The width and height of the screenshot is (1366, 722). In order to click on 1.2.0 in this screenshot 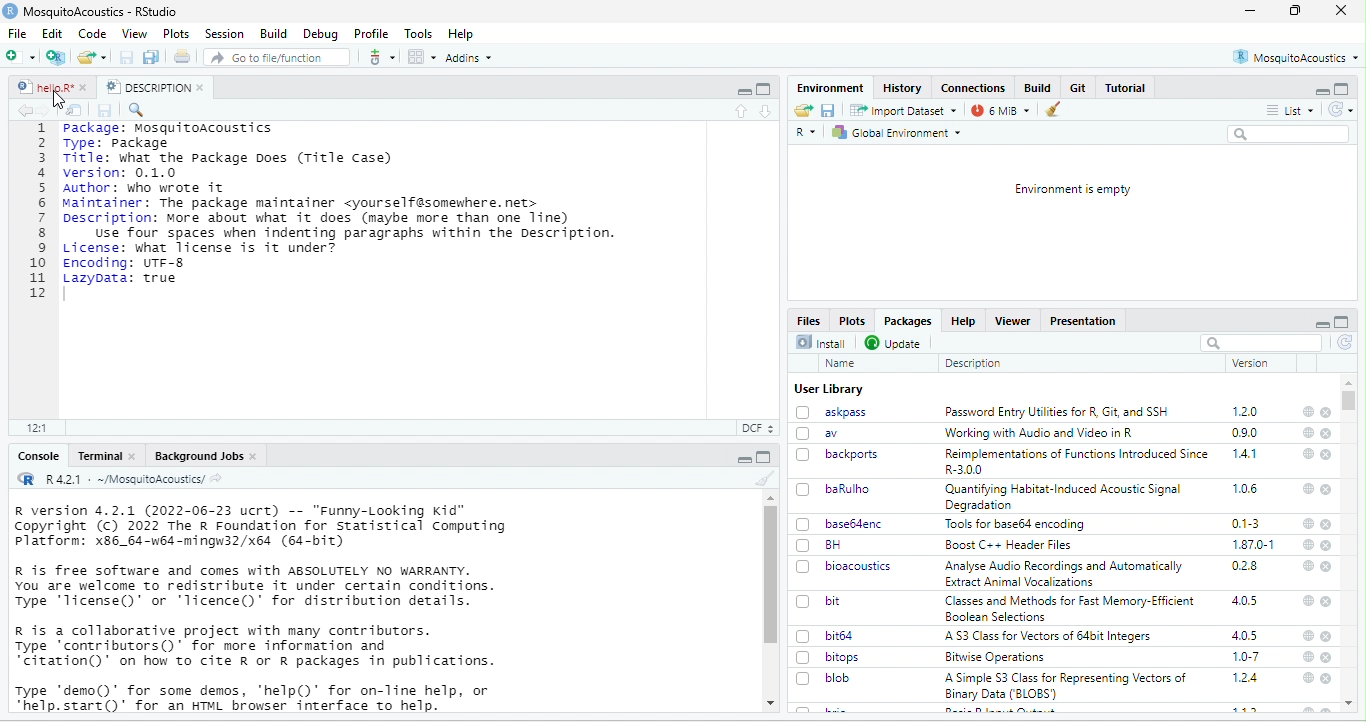, I will do `click(1246, 411)`.